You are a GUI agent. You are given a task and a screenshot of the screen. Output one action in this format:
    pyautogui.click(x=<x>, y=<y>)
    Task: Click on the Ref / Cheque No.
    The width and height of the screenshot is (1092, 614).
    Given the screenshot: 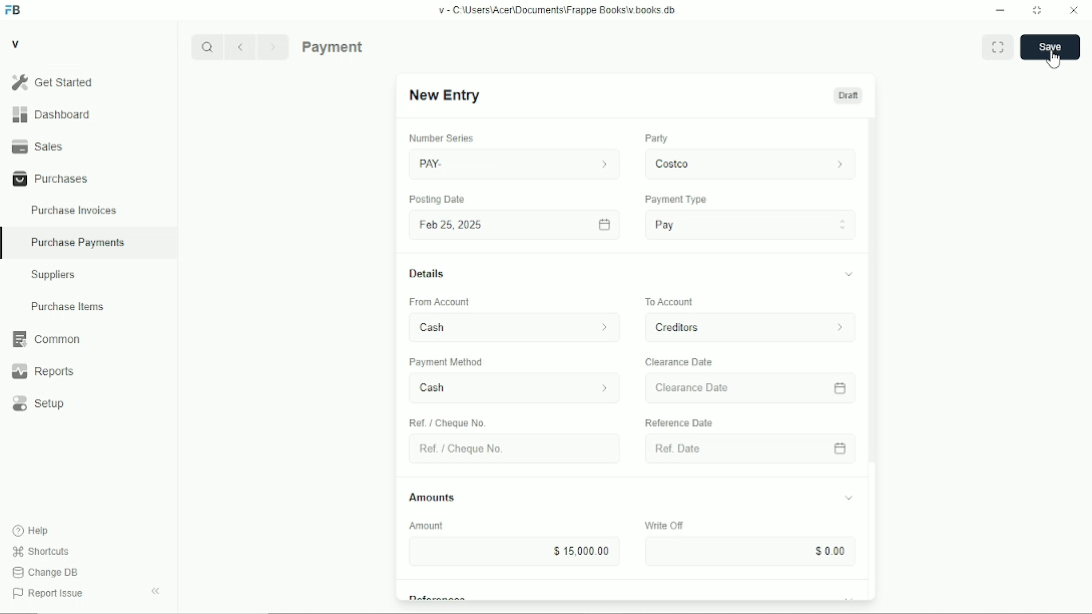 What is the action you would take?
    pyautogui.click(x=450, y=422)
    